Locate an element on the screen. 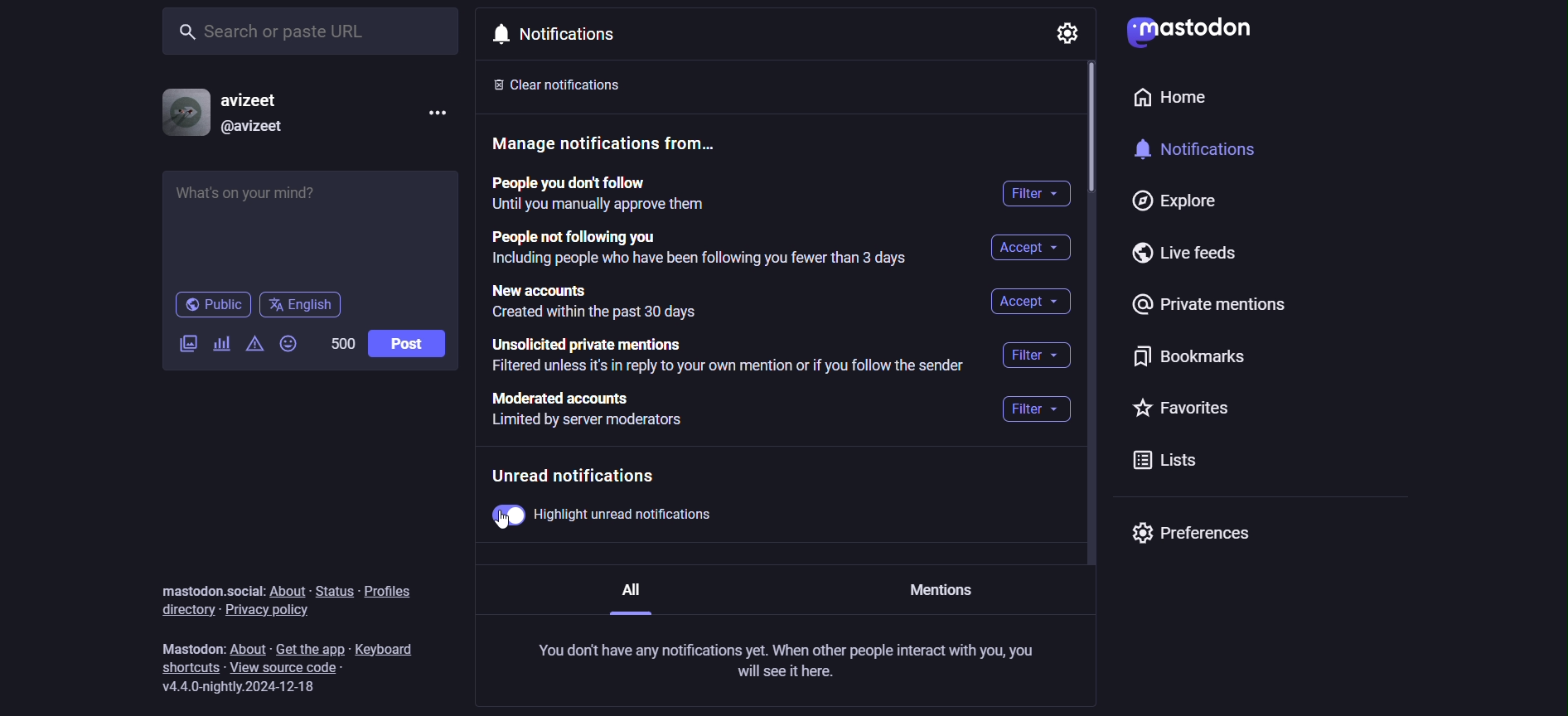  filter is located at coordinates (1042, 353).